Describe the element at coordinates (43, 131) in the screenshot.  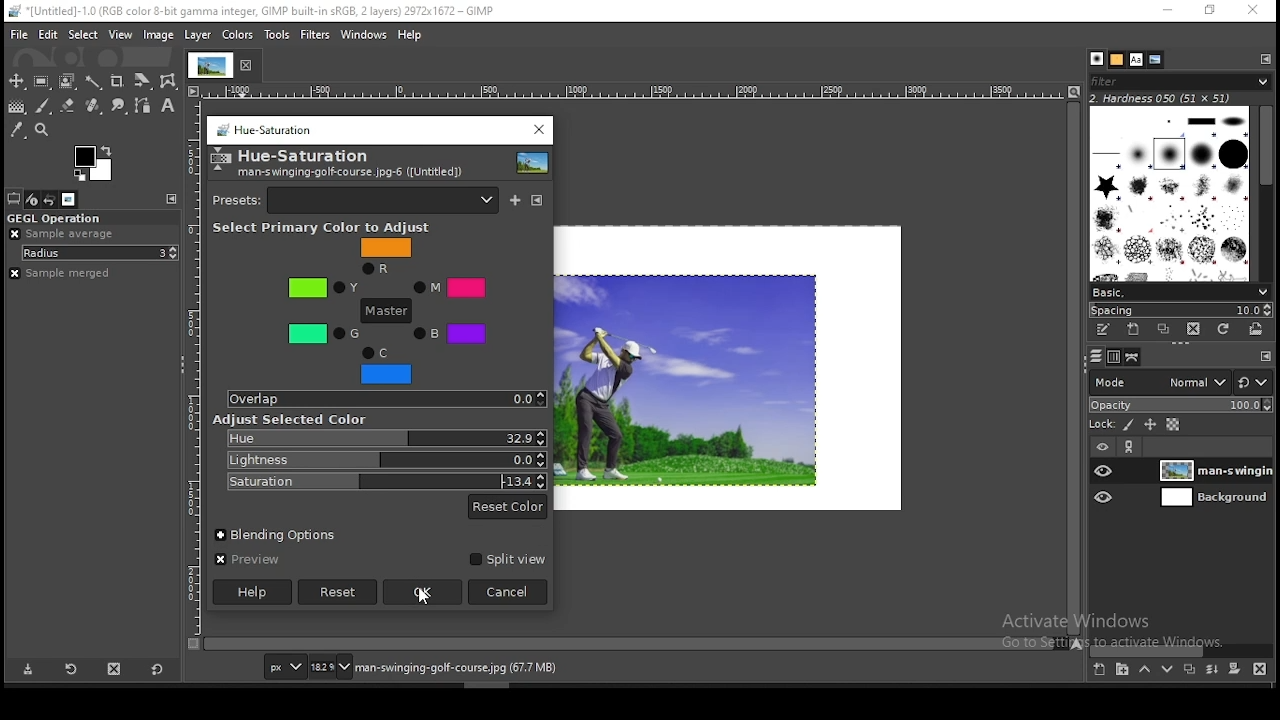
I see `zoom tool` at that location.